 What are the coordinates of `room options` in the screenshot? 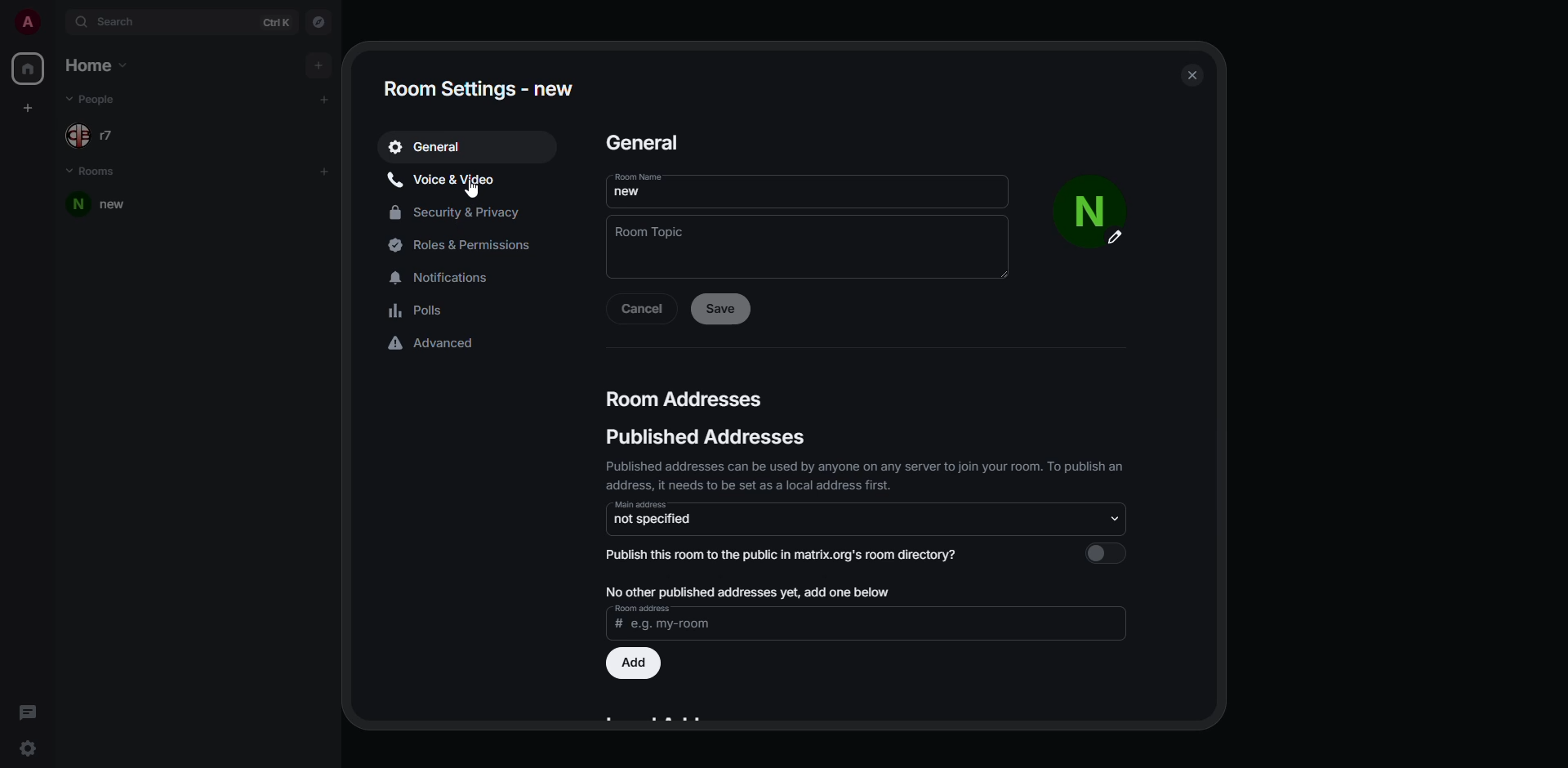 It's located at (304, 204).